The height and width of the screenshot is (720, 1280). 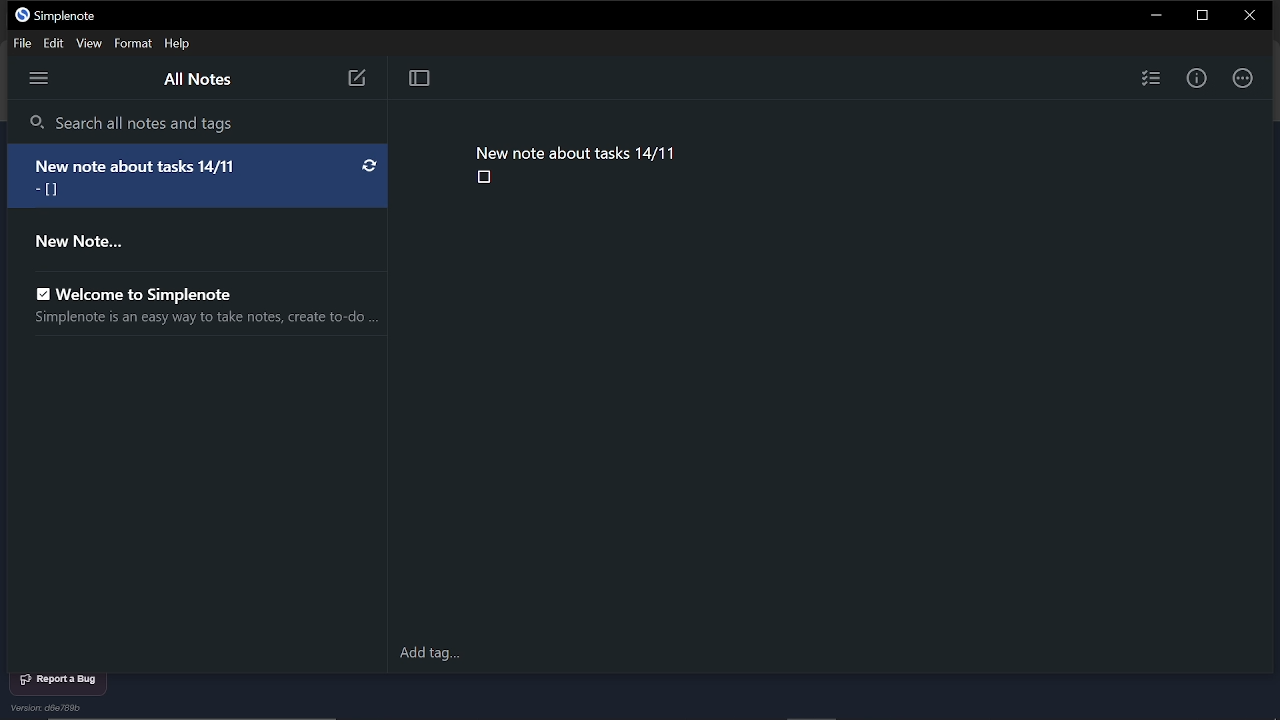 I want to click on Simpienote Is an easy way to take notes, create to-do ..., so click(x=198, y=321).